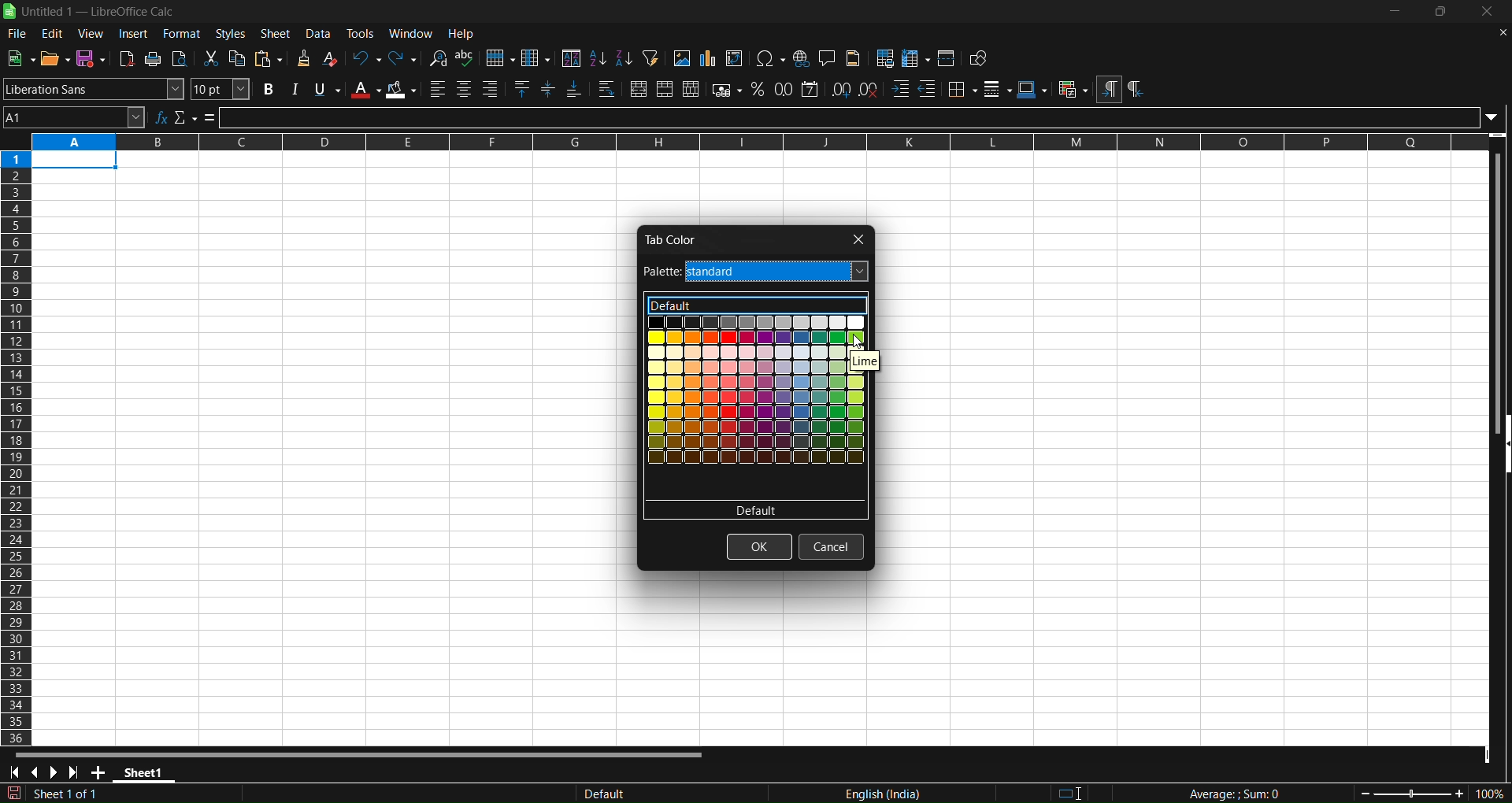 This screenshot has width=1512, height=803. I want to click on hide, so click(1503, 446).